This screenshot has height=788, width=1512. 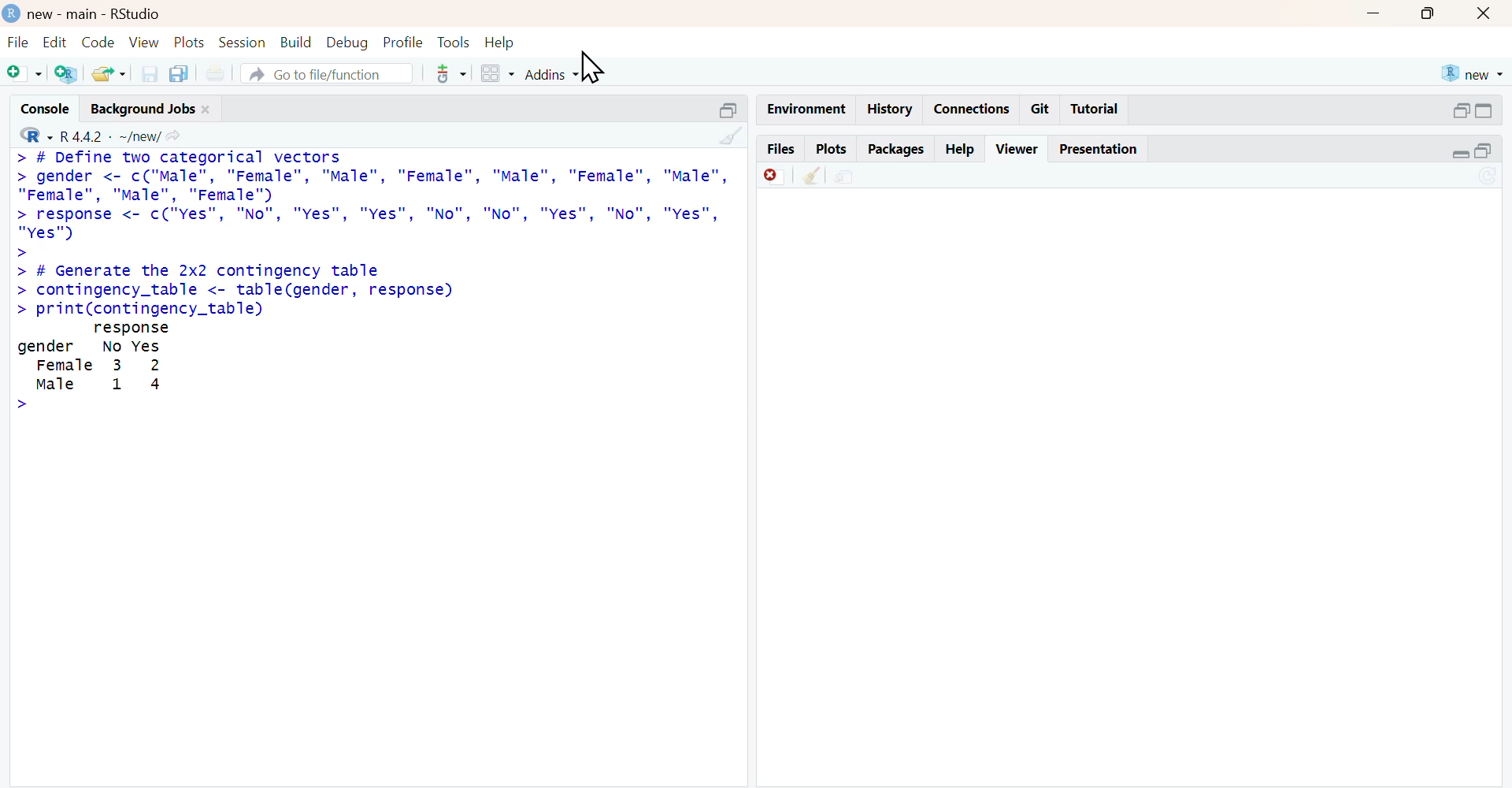 What do you see at coordinates (1462, 110) in the screenshot?
I see `open in separate window` at bounding box center [1462, 110].